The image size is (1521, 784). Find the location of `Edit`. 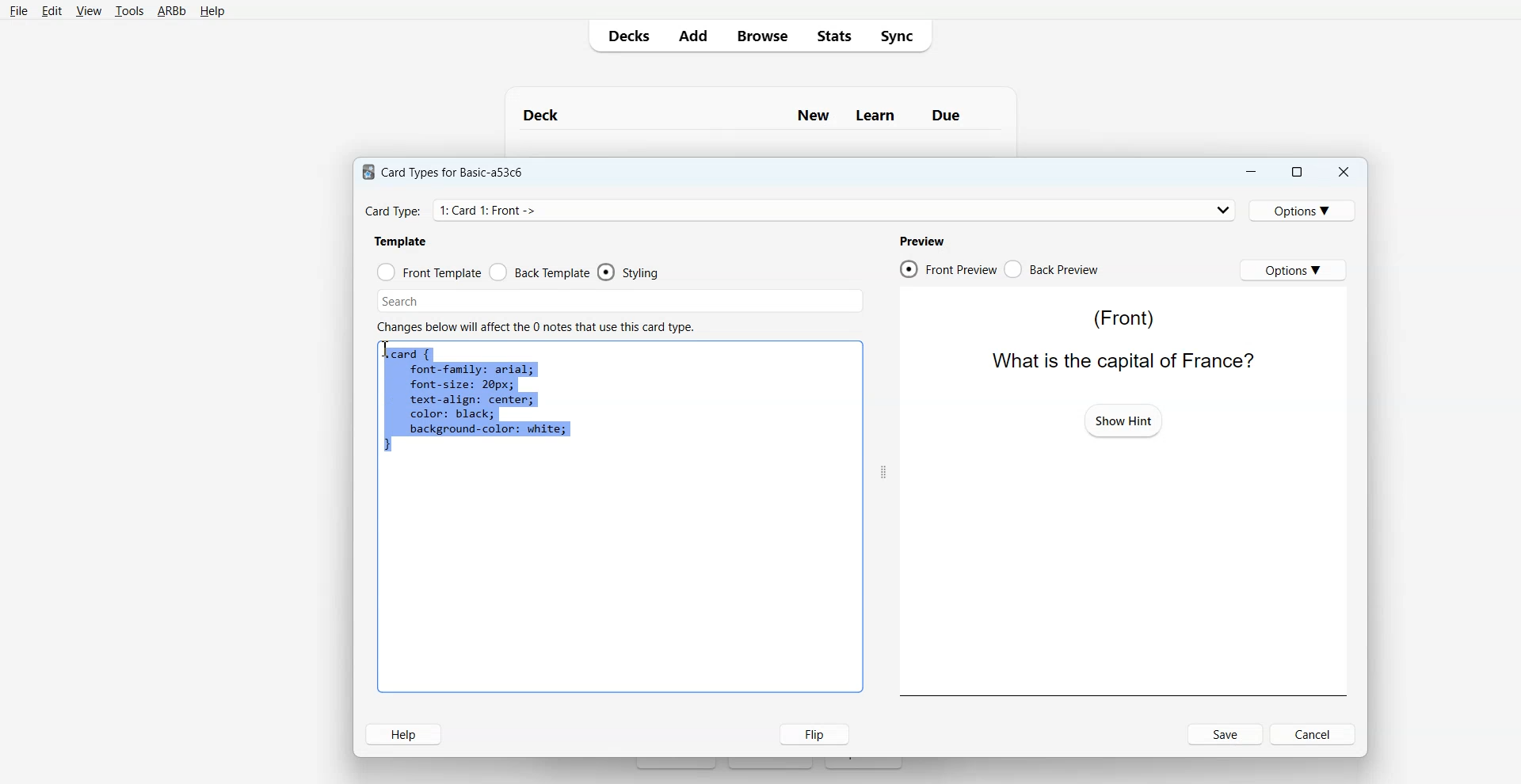

Edit is located at coordinates (52, 11).